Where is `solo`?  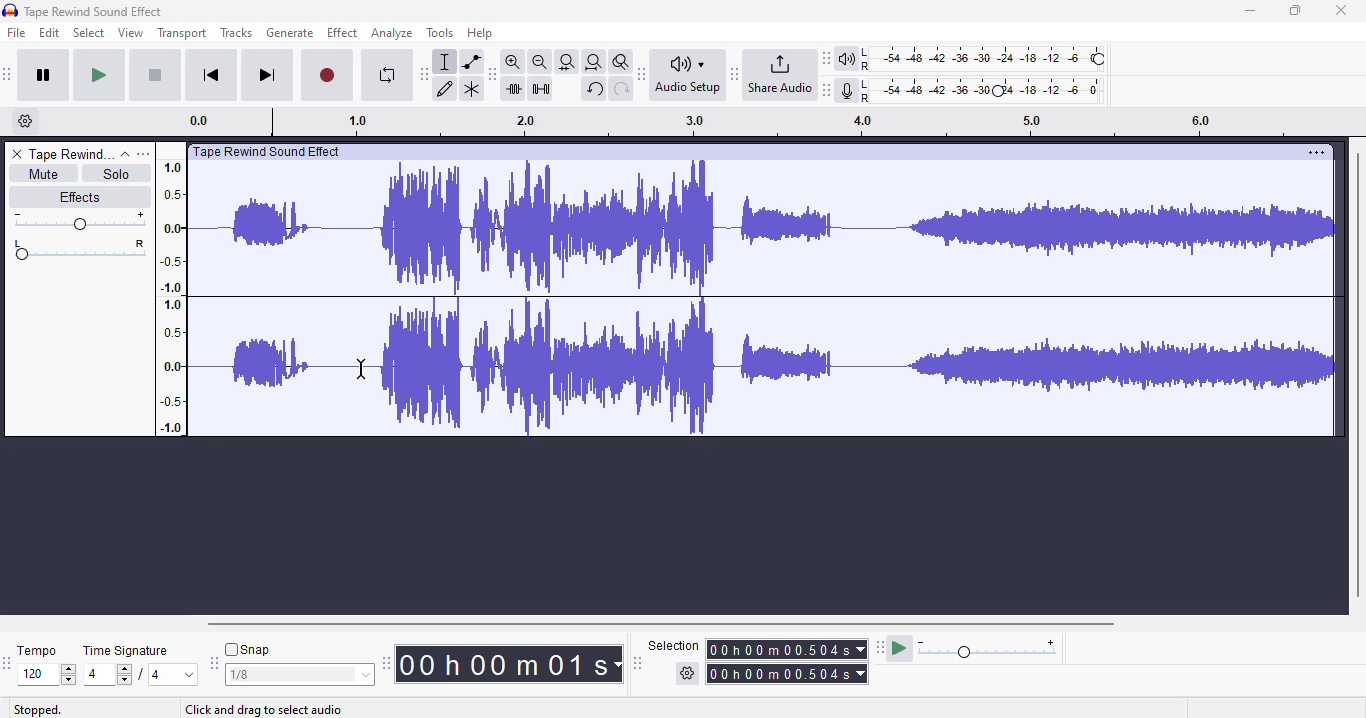
solo is located at coordinates (115, 174).